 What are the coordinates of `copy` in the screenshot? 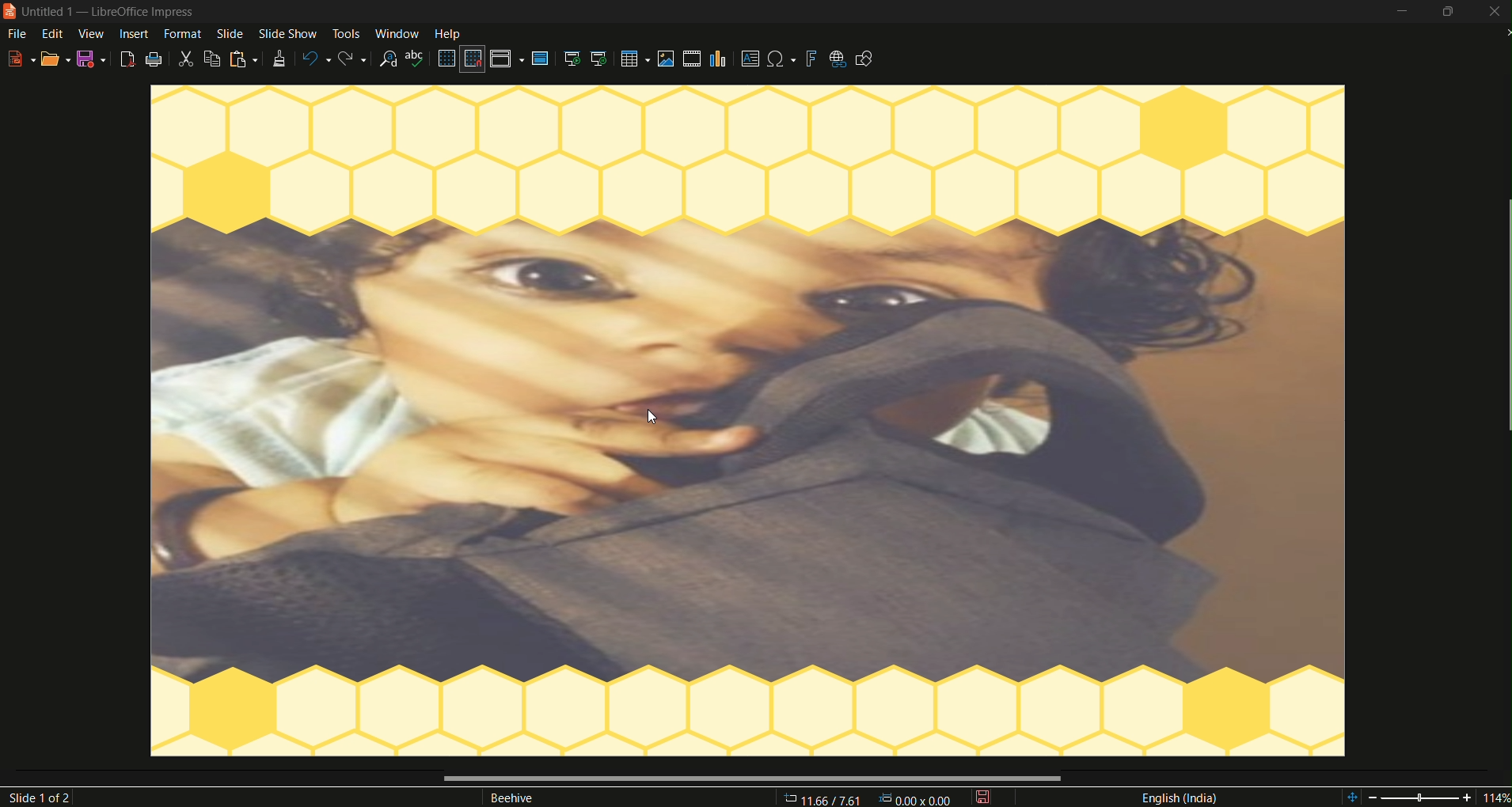 It's located at (212, 59).